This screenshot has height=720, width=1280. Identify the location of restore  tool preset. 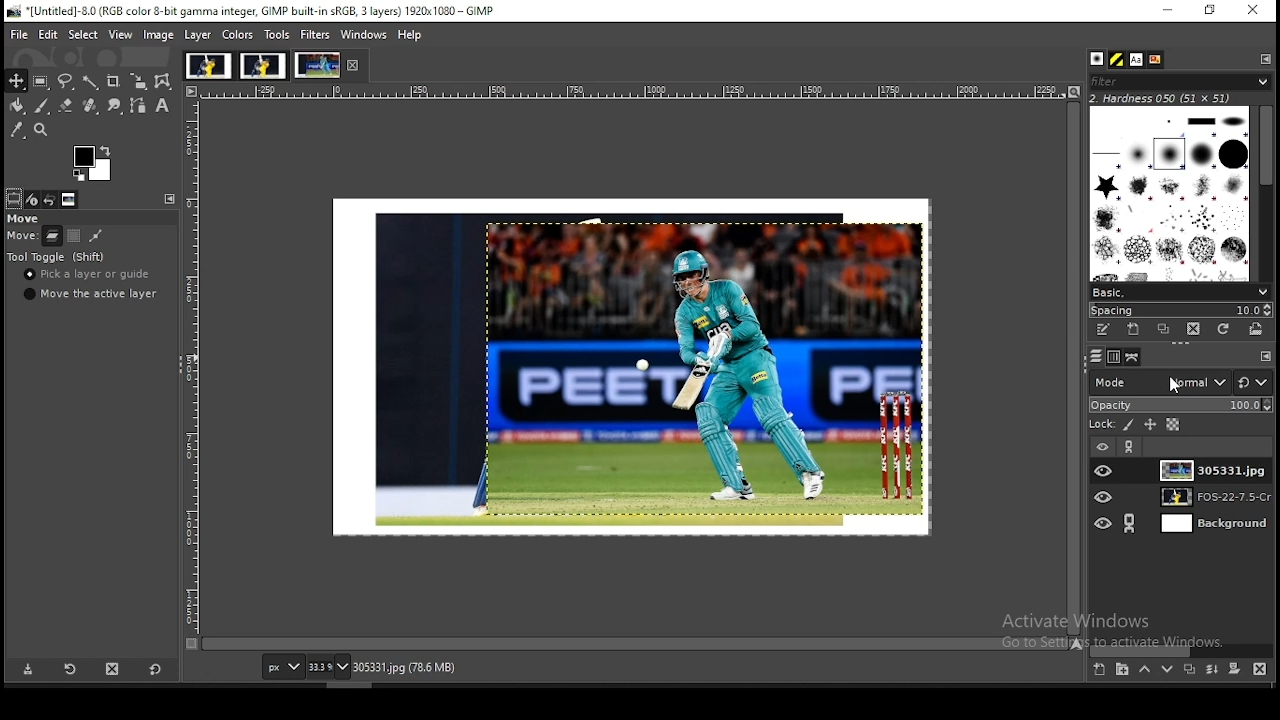
(67, 670).